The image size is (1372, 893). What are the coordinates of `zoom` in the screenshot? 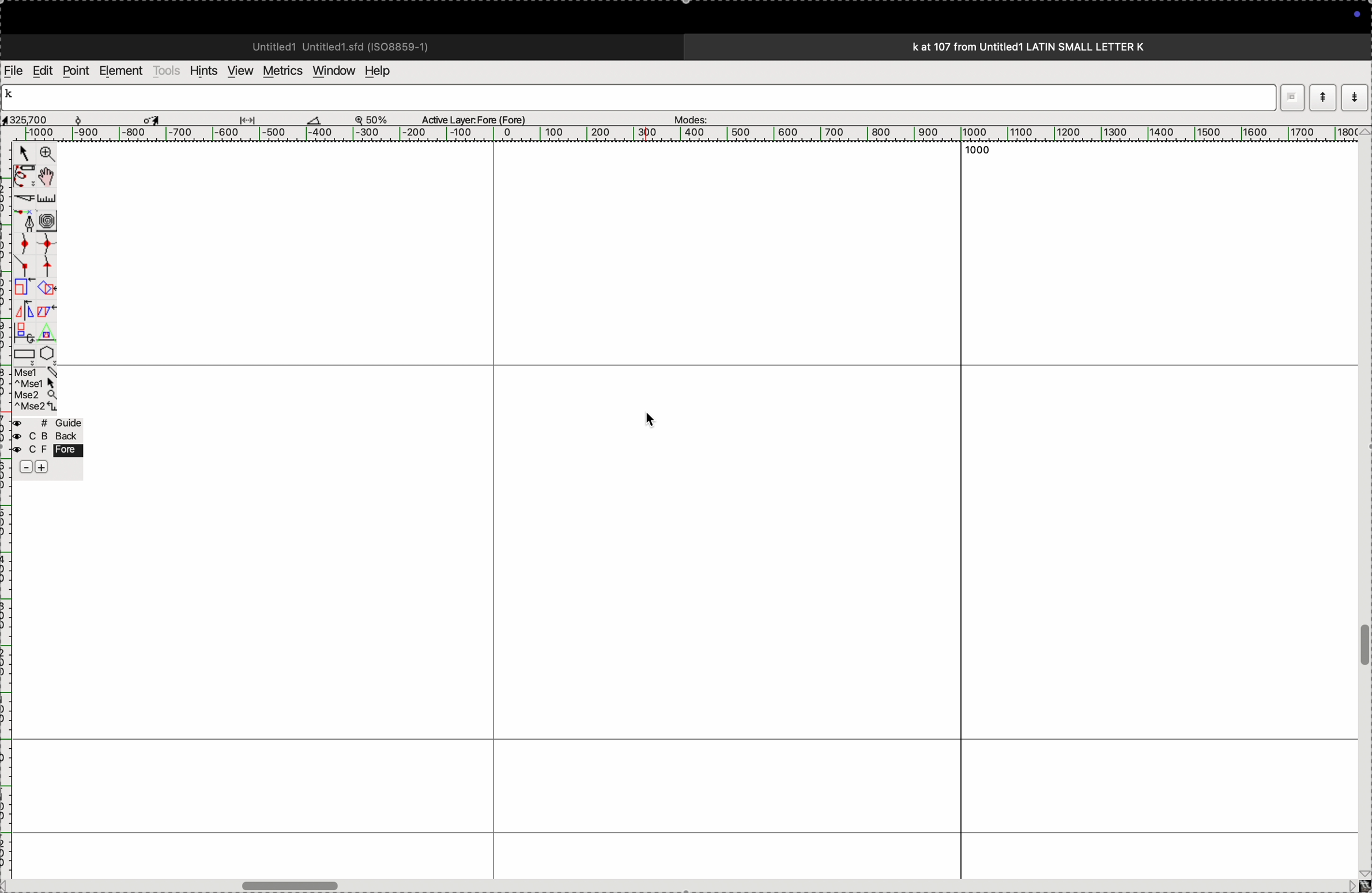 It's located at (377, 119).